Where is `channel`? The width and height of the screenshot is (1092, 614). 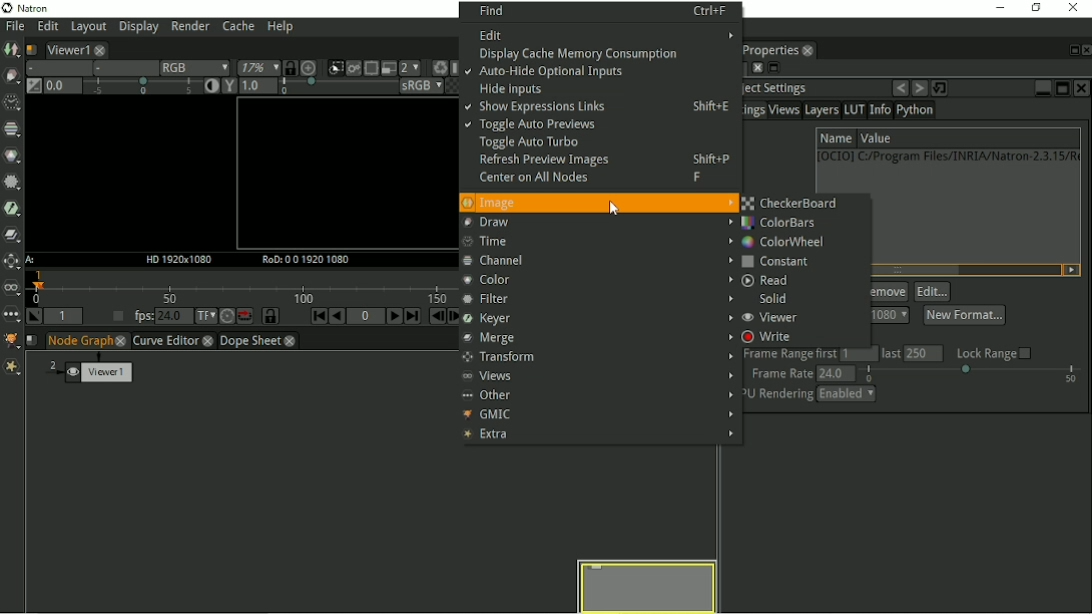 channel is located at coordinates (595, 261).